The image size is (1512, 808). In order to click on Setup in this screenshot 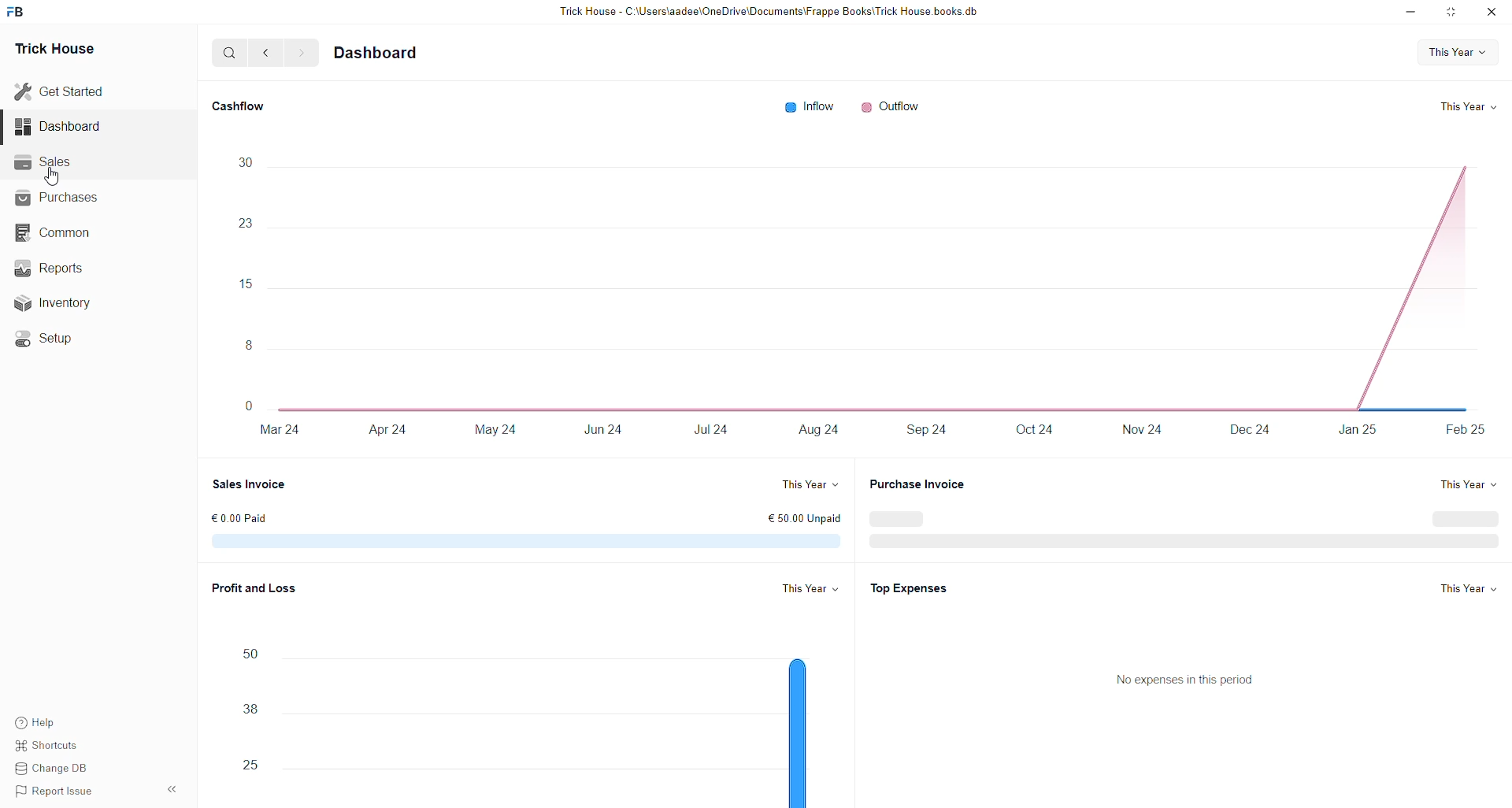, I will do `click(63, 338)`.